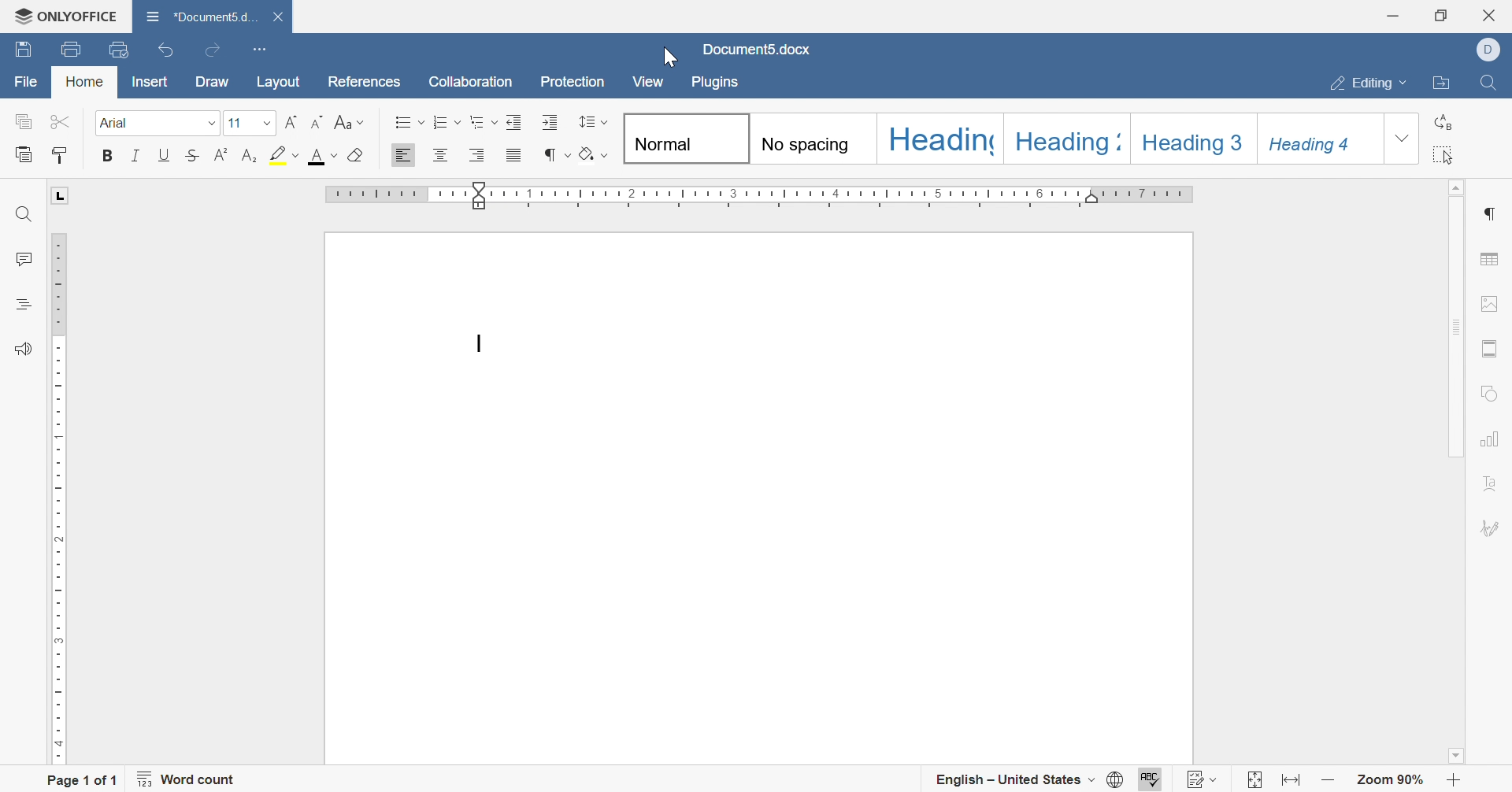 This screenshot has width=1512, height=792. I want to click on bullets, so click(409, 122).